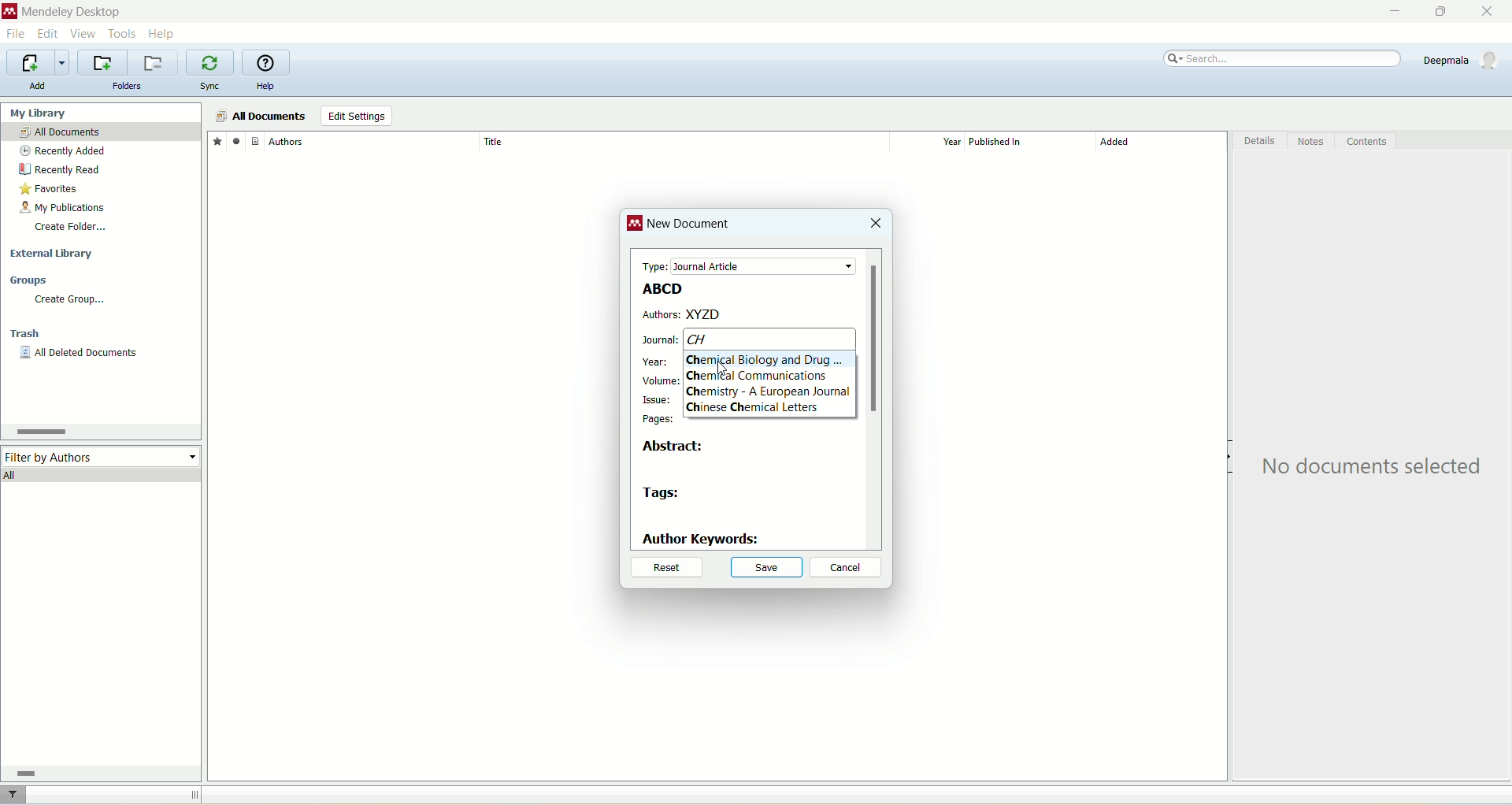 The image size is (1512, 805). What do you see at coordinates (84, 34) in the screenshot?
I see `view` at bounding box center [84, 34].